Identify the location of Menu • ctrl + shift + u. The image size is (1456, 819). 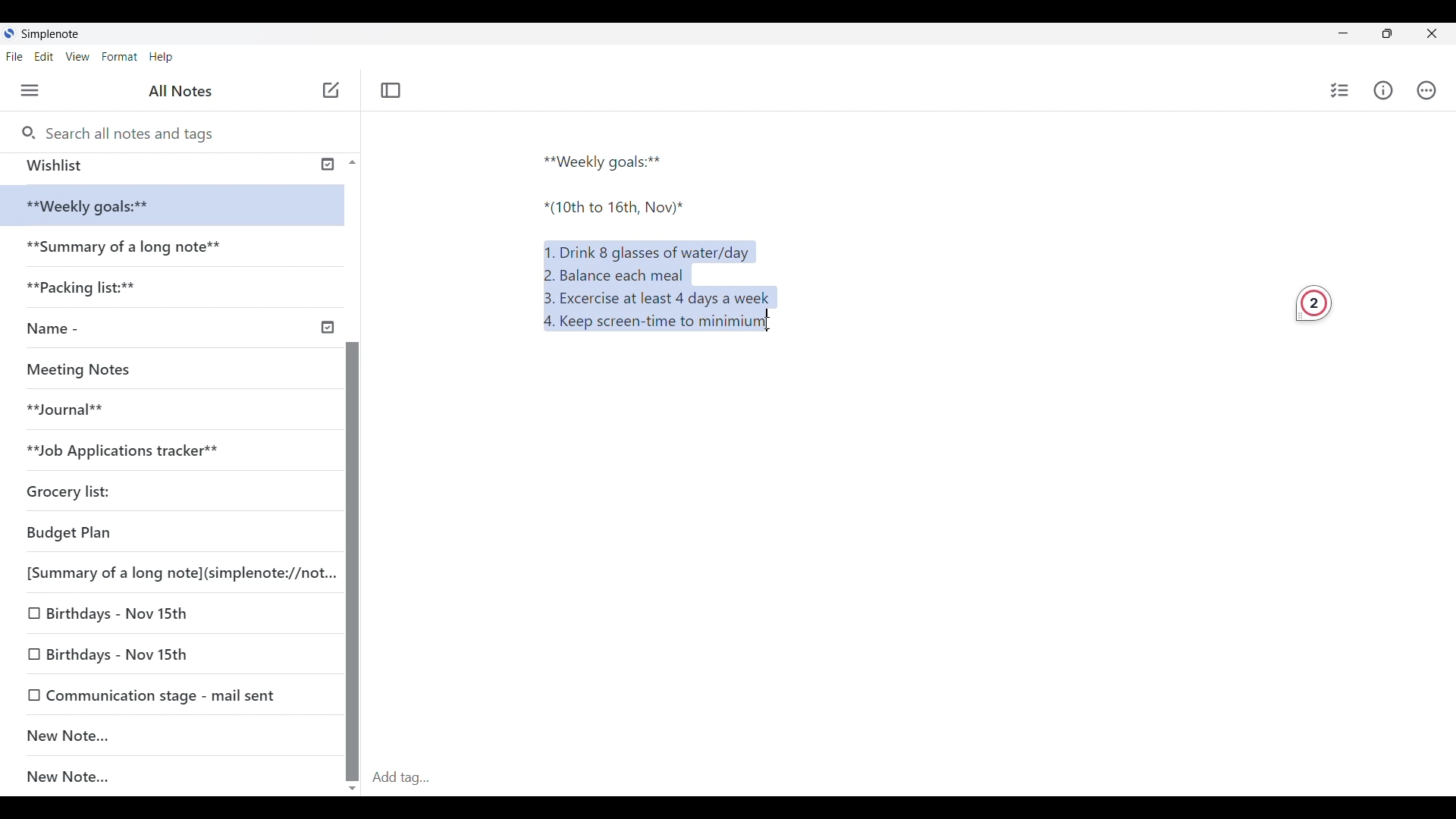
(36, 90).